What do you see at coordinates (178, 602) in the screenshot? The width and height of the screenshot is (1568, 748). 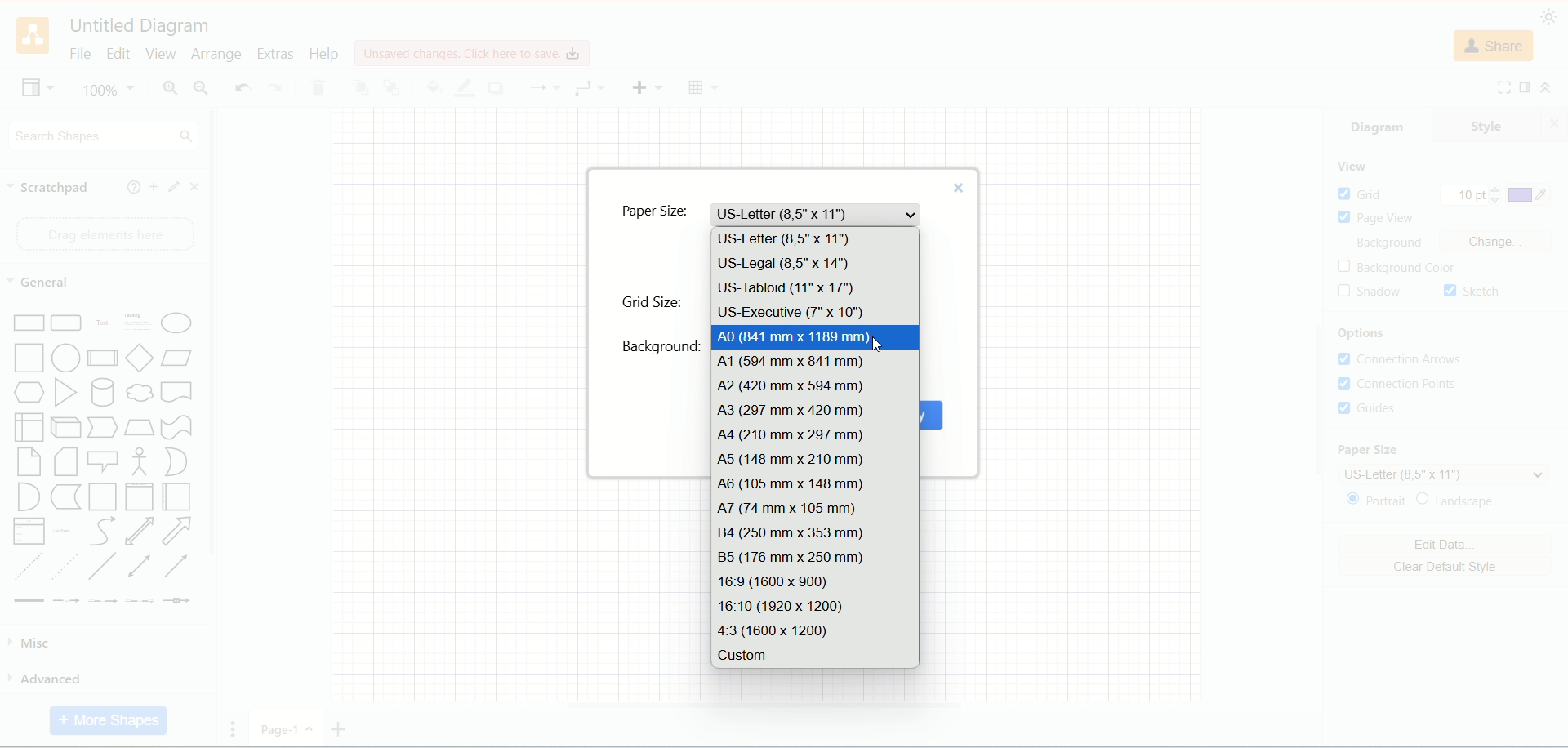 I see `Connector with Icon Symbol` at bounding box center [178, 602].